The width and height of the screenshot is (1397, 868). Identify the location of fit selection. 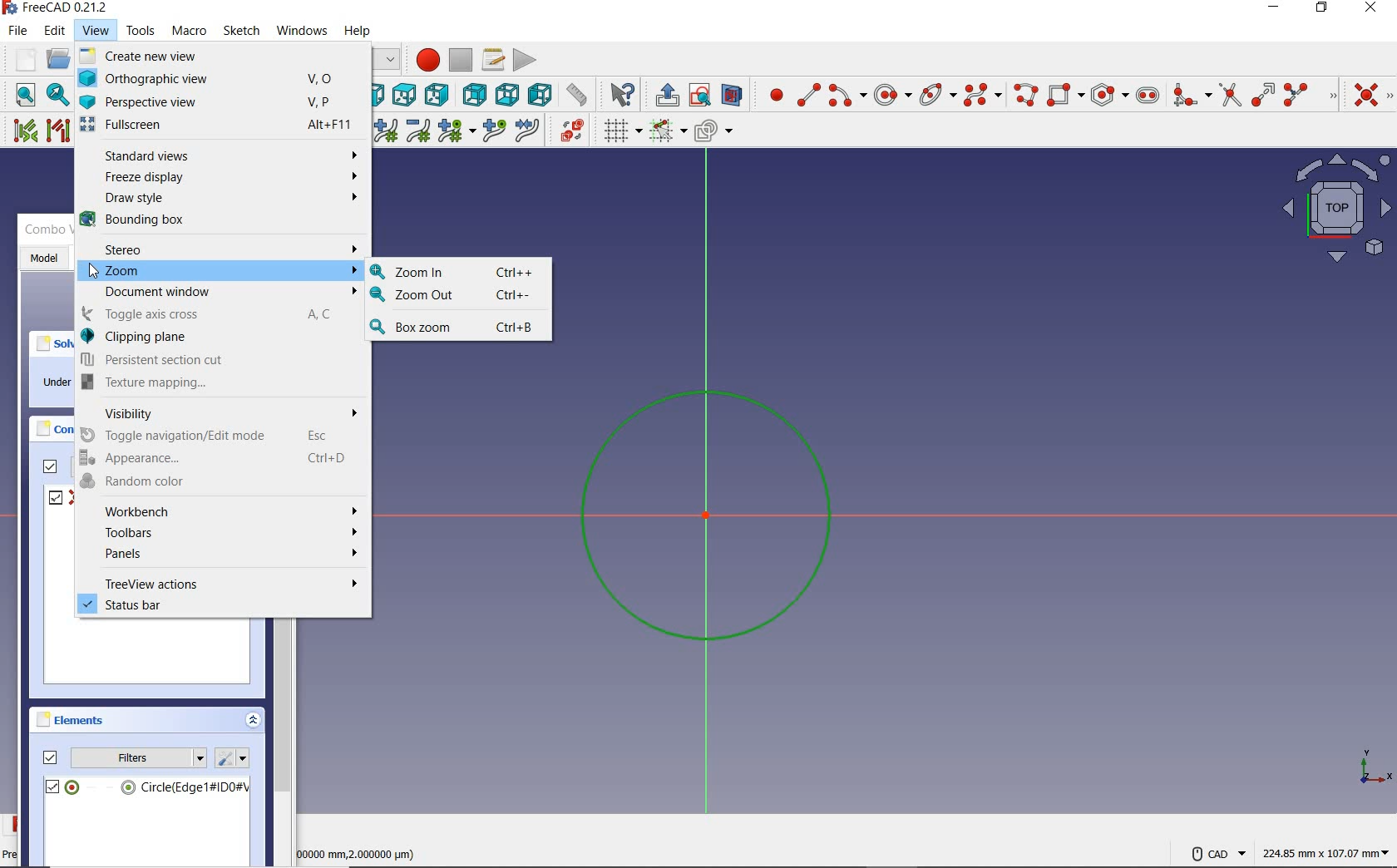
(56, 94).